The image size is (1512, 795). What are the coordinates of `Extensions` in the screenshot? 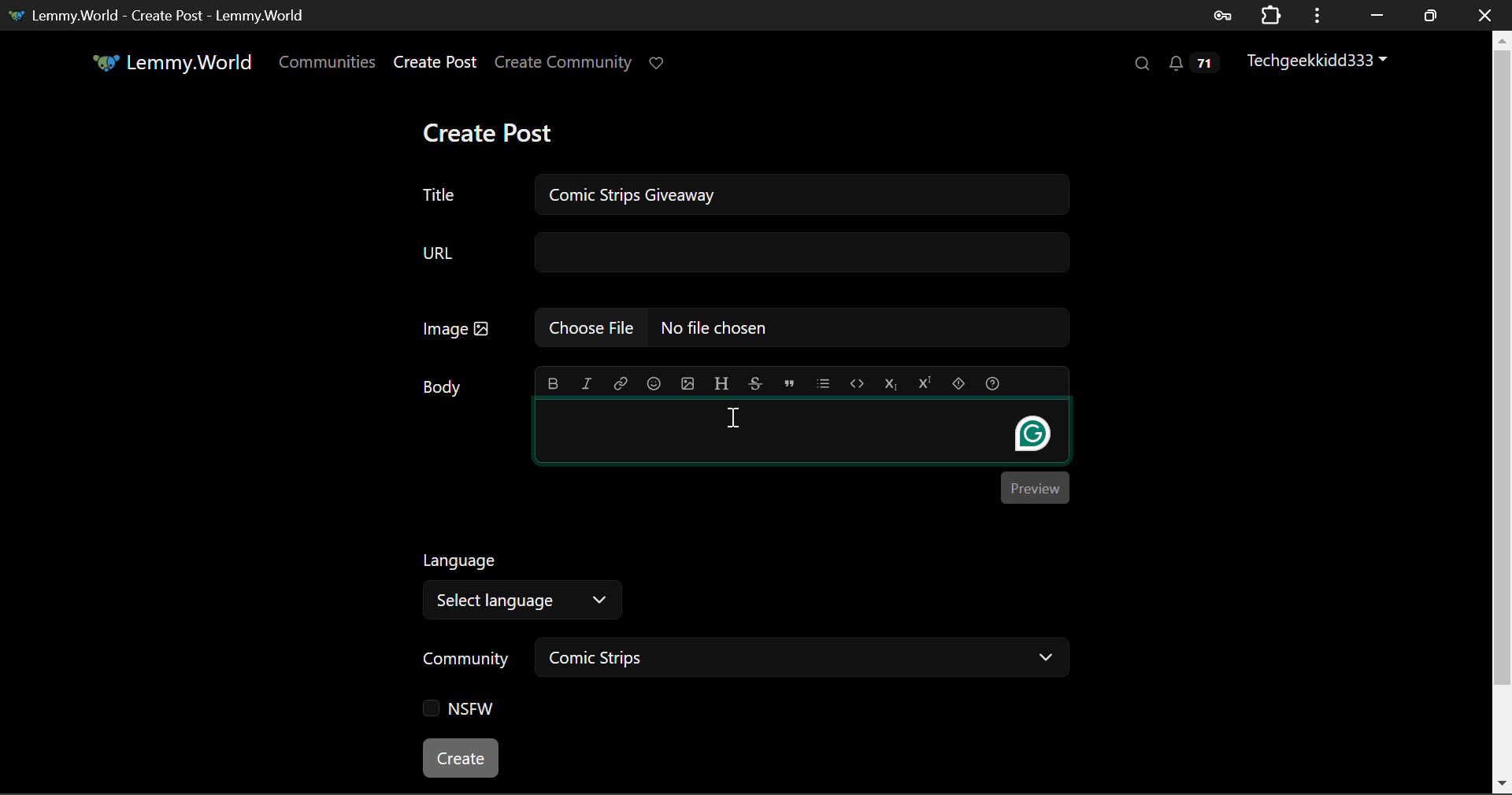 It's located at (1270, 15).